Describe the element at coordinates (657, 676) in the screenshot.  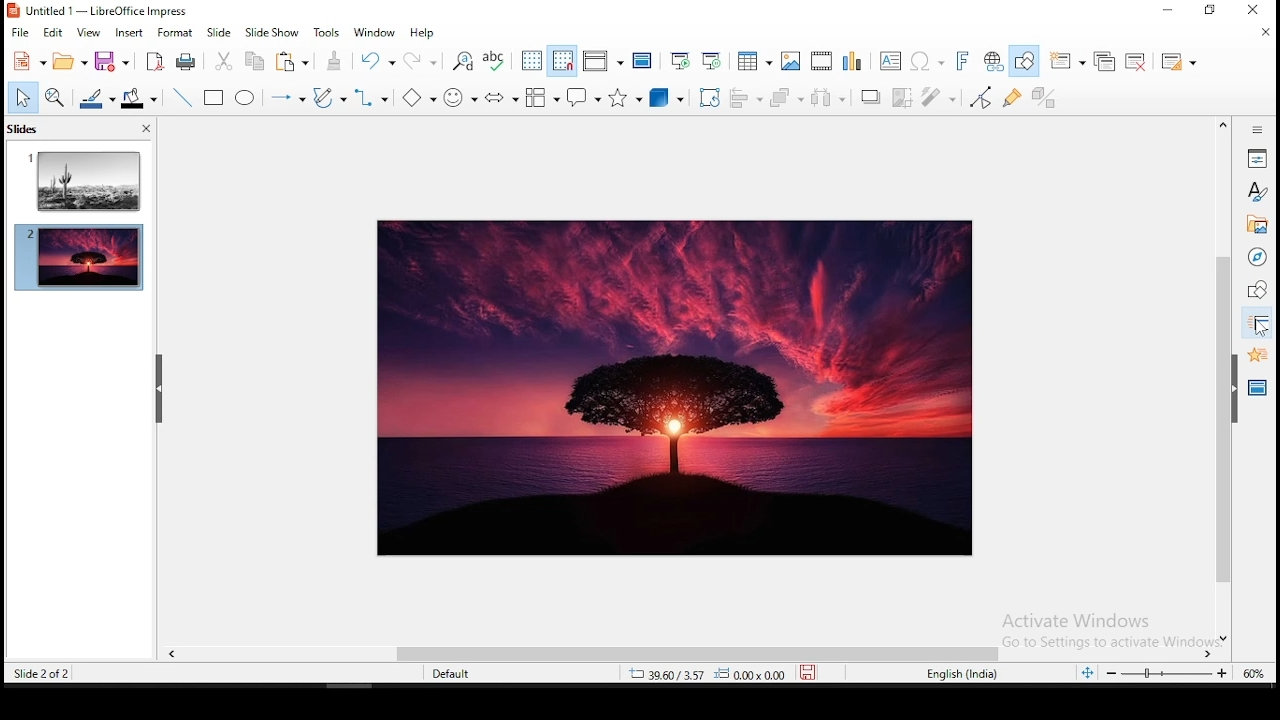
I see `39.60/3.57` at that location.